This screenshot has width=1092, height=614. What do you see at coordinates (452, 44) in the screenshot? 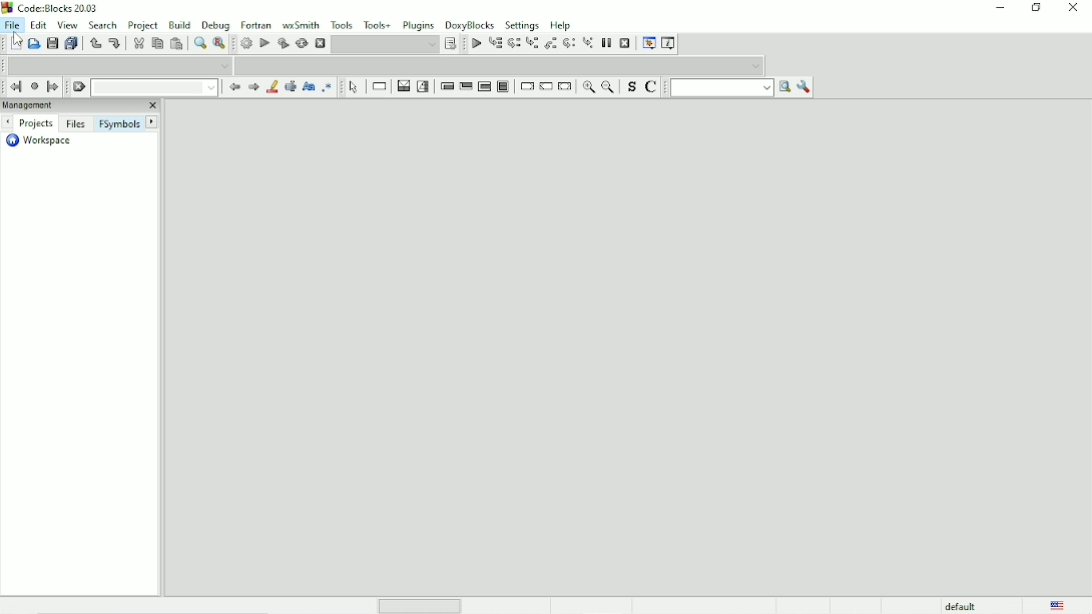
I see `Show the select target dialog` at bounding box center [452, 44].